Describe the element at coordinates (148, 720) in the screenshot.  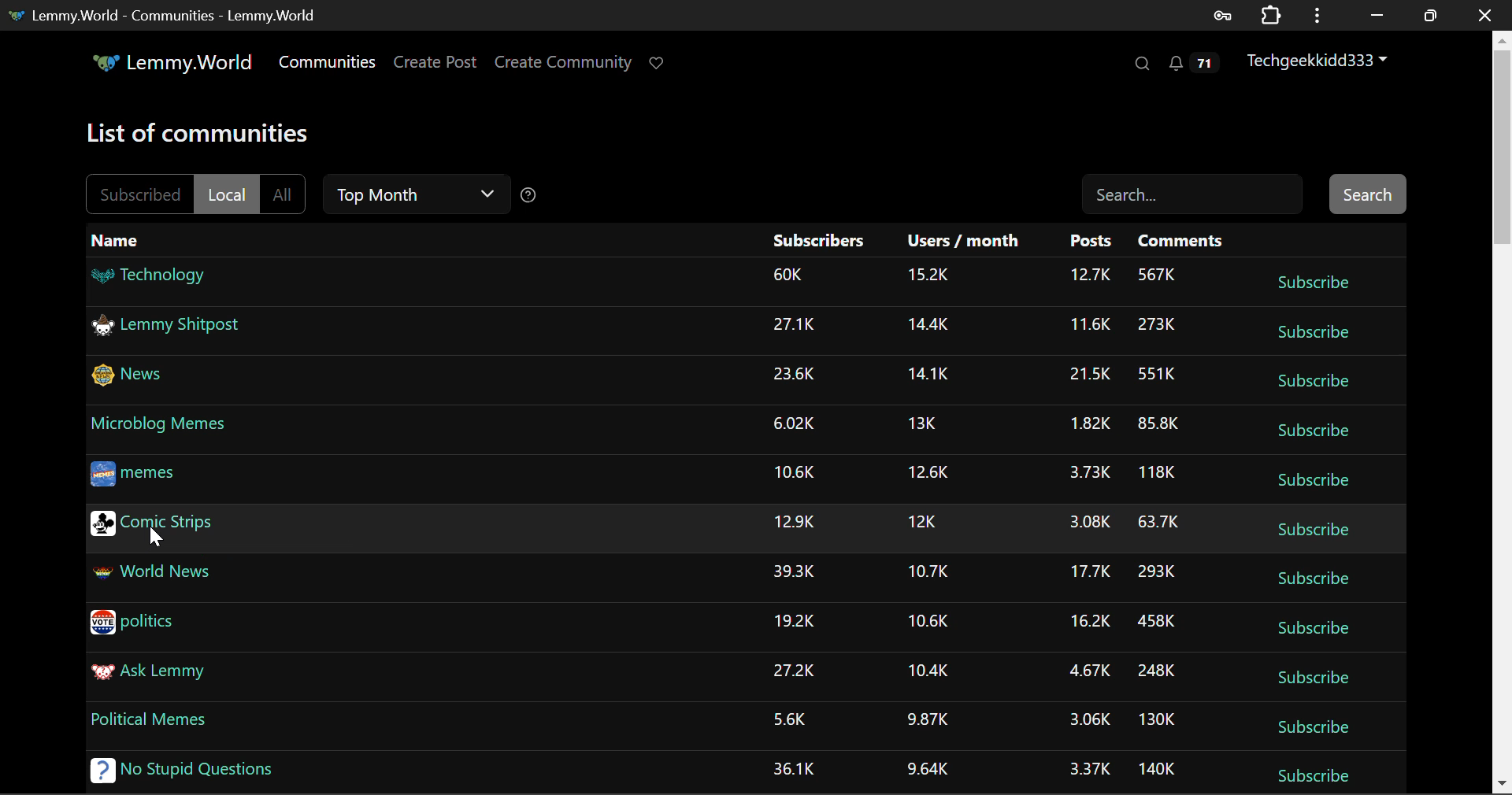
I see `Political Memes` at that location.